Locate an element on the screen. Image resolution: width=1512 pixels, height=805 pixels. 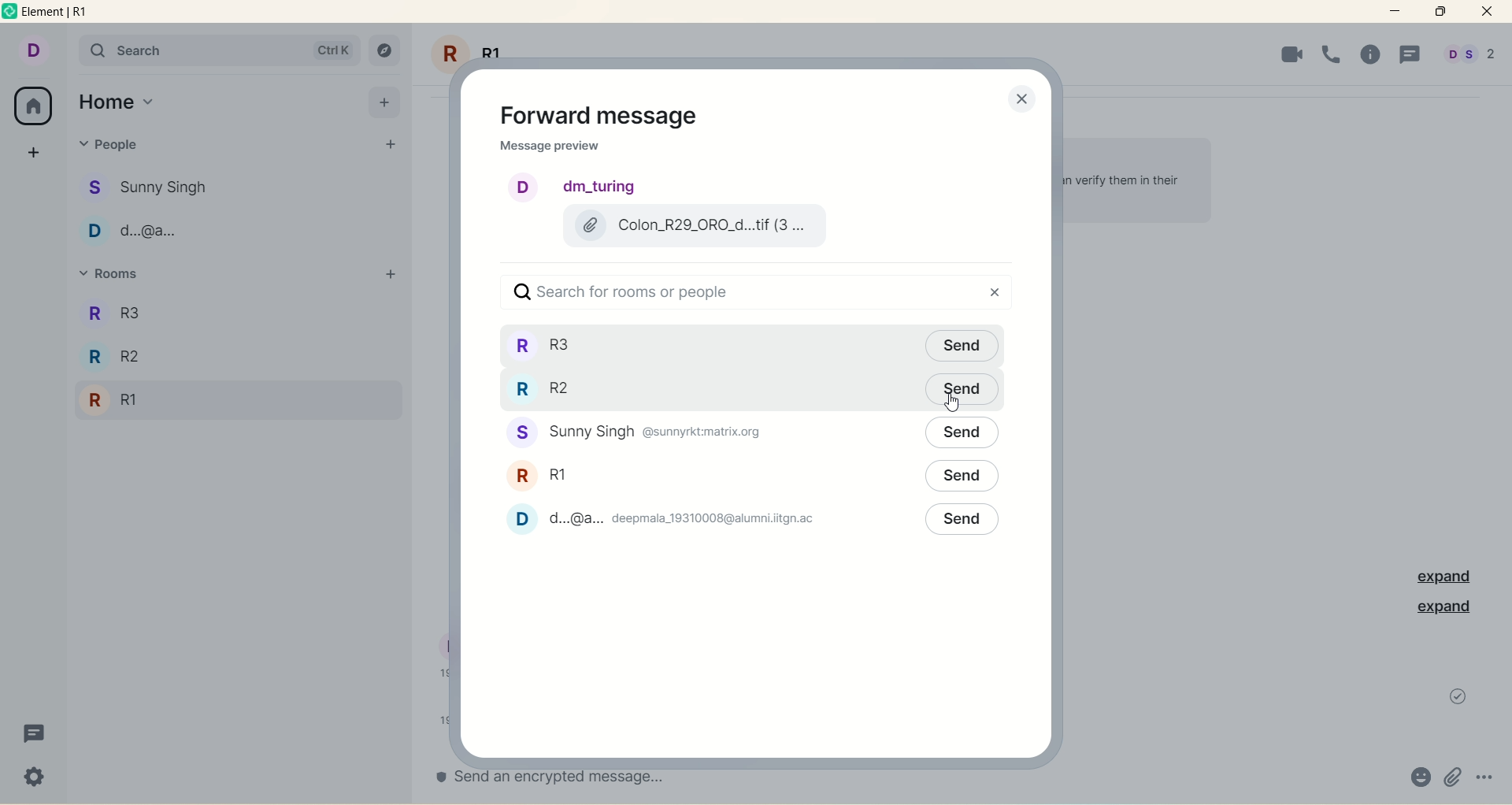
start chat is located at coordinates (388, 146).